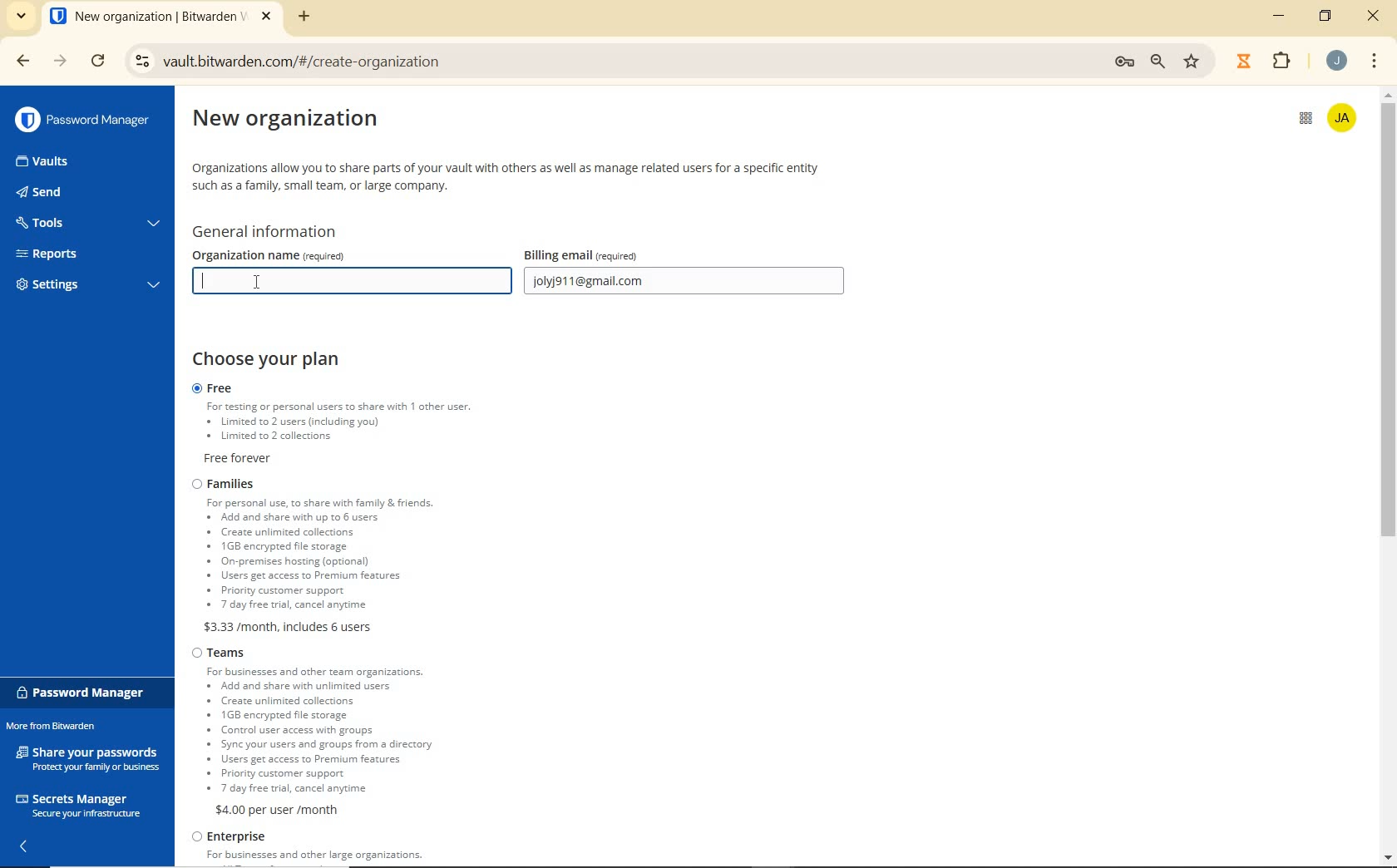 Image resolution: width=1397 pixels, height=868 pixels. Describe the element at coordinates (315, 849) in the screenshot. I see `enterprise plan` at that location.